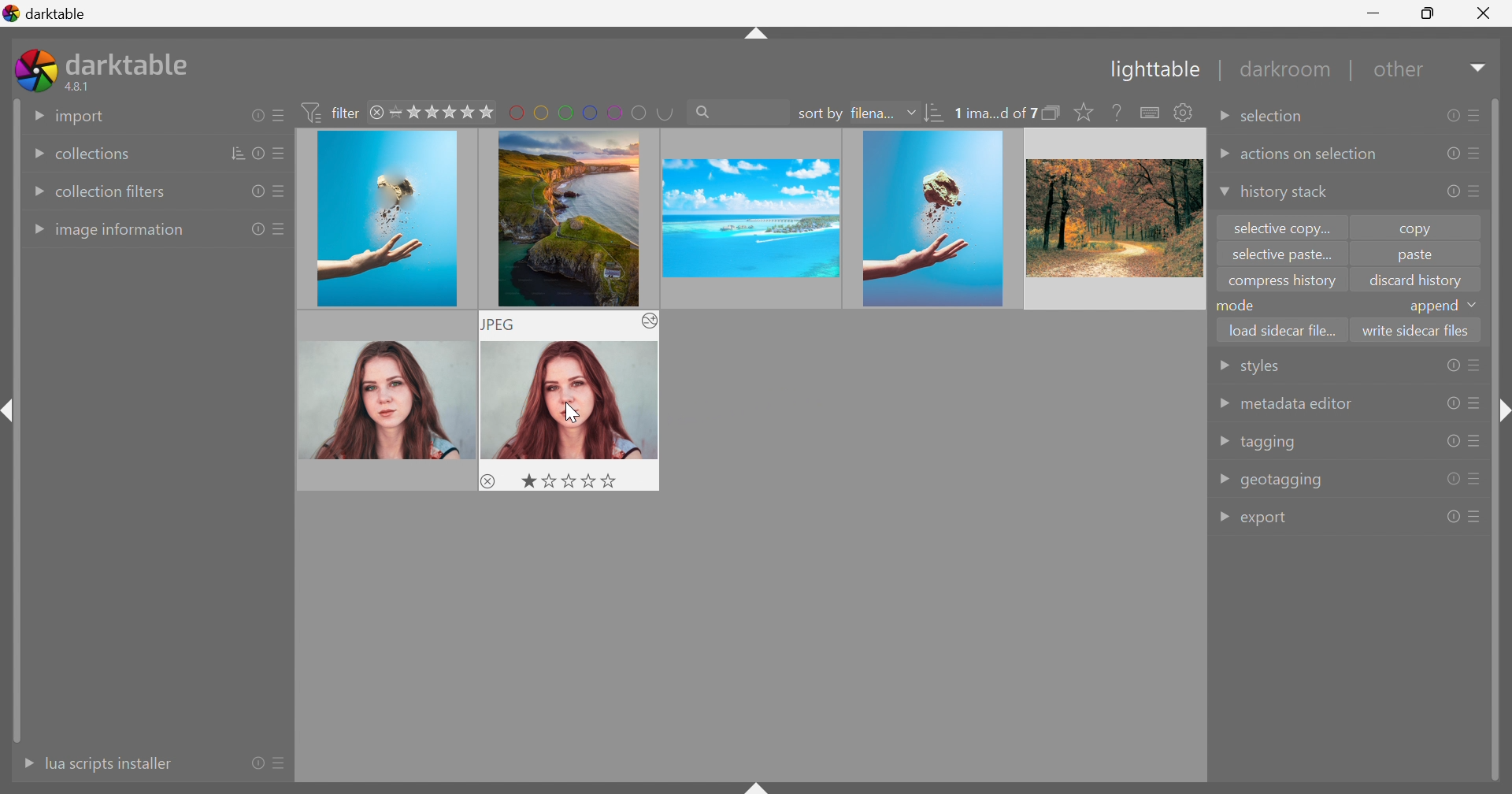 The image size is (1512, 794). Describe the element at coordinates (1222, 154) in the screenshot. I see `Drop Down` at that location.